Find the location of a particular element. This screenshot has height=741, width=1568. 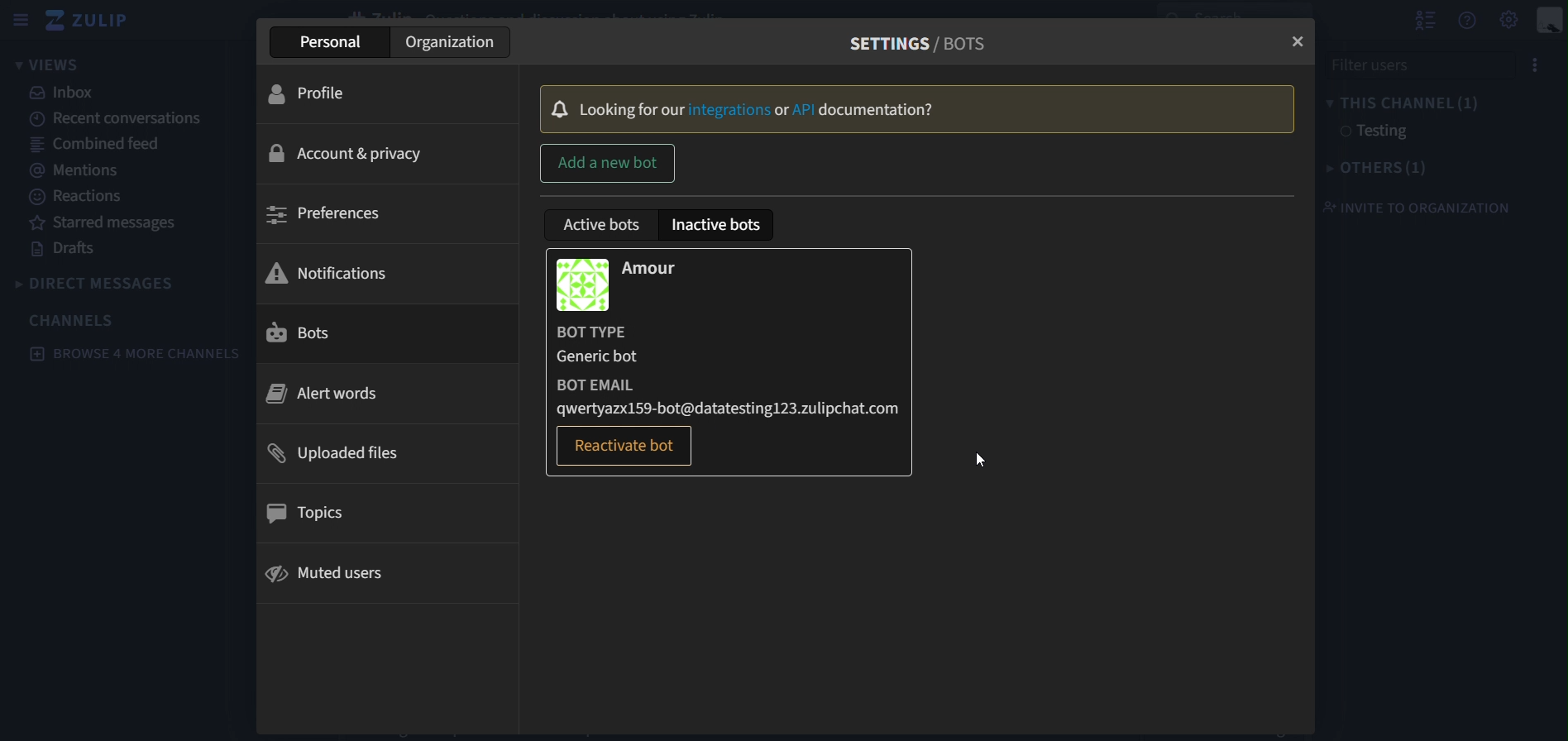

alert words is located at coordinates (325, 393).